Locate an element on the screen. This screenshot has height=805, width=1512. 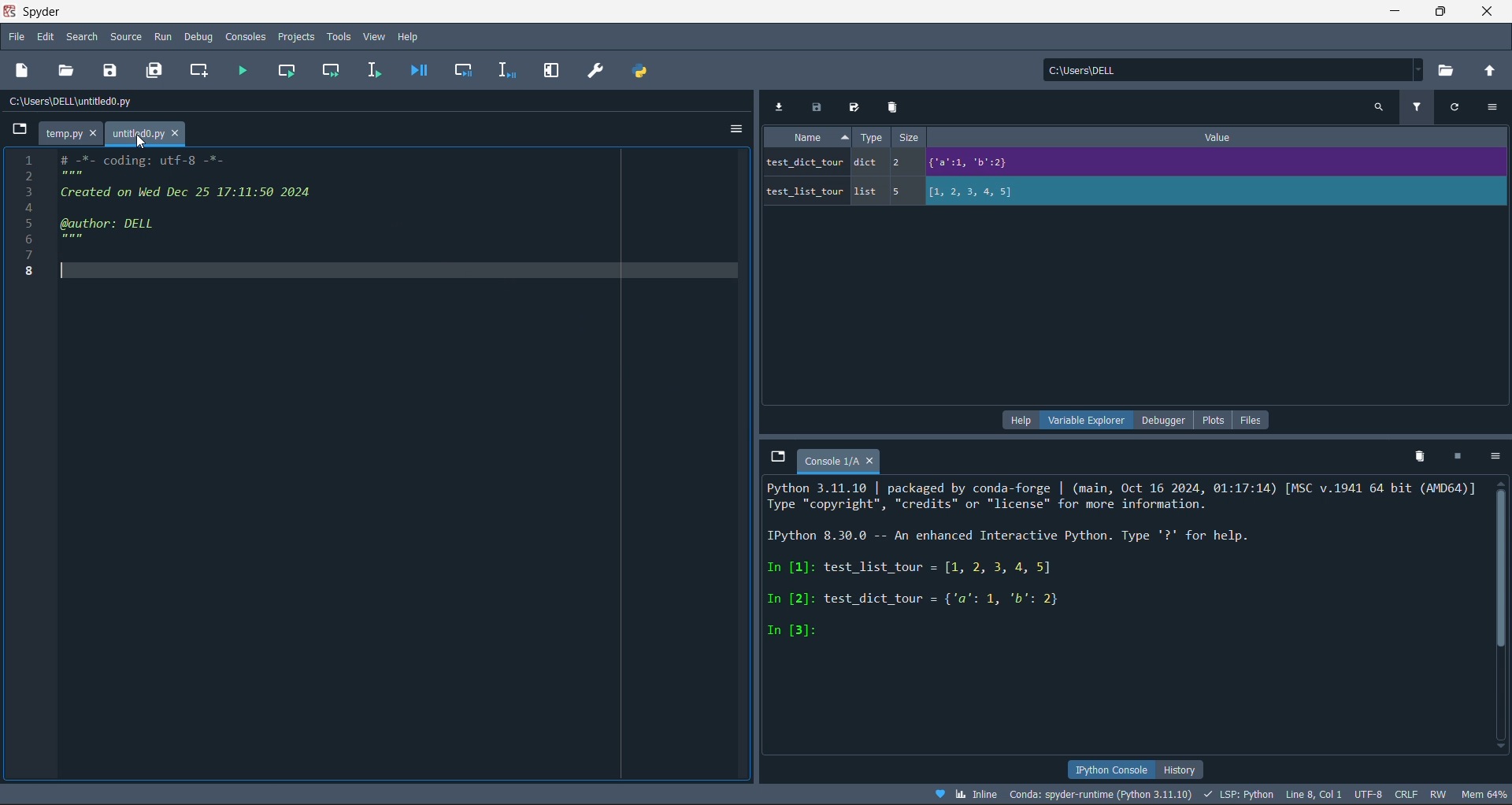
untitled0.py X is located at coordinates (149, 133).